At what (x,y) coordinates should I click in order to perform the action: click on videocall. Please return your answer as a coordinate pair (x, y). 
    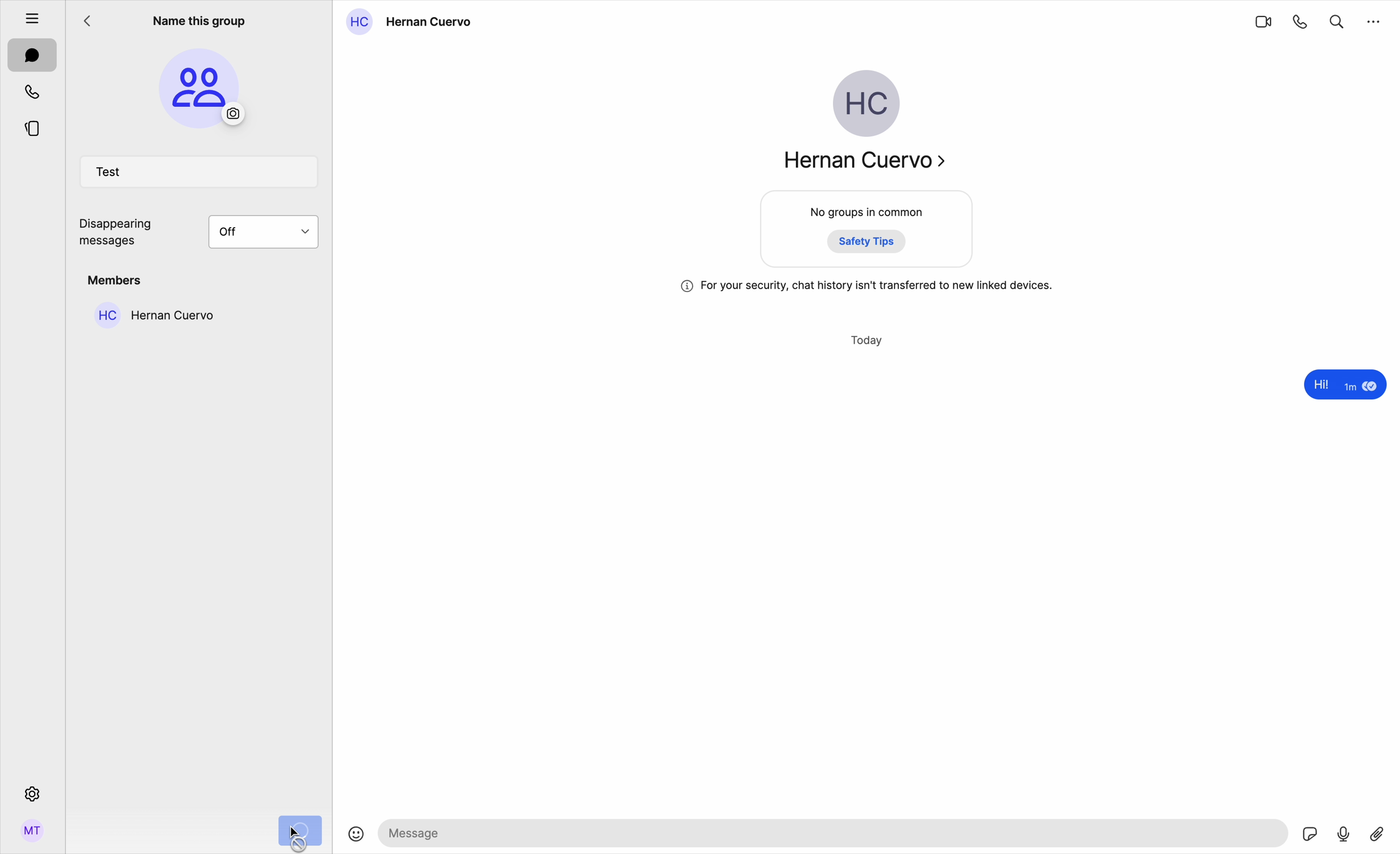
    Looking at the image, I should click on (1262, 21).